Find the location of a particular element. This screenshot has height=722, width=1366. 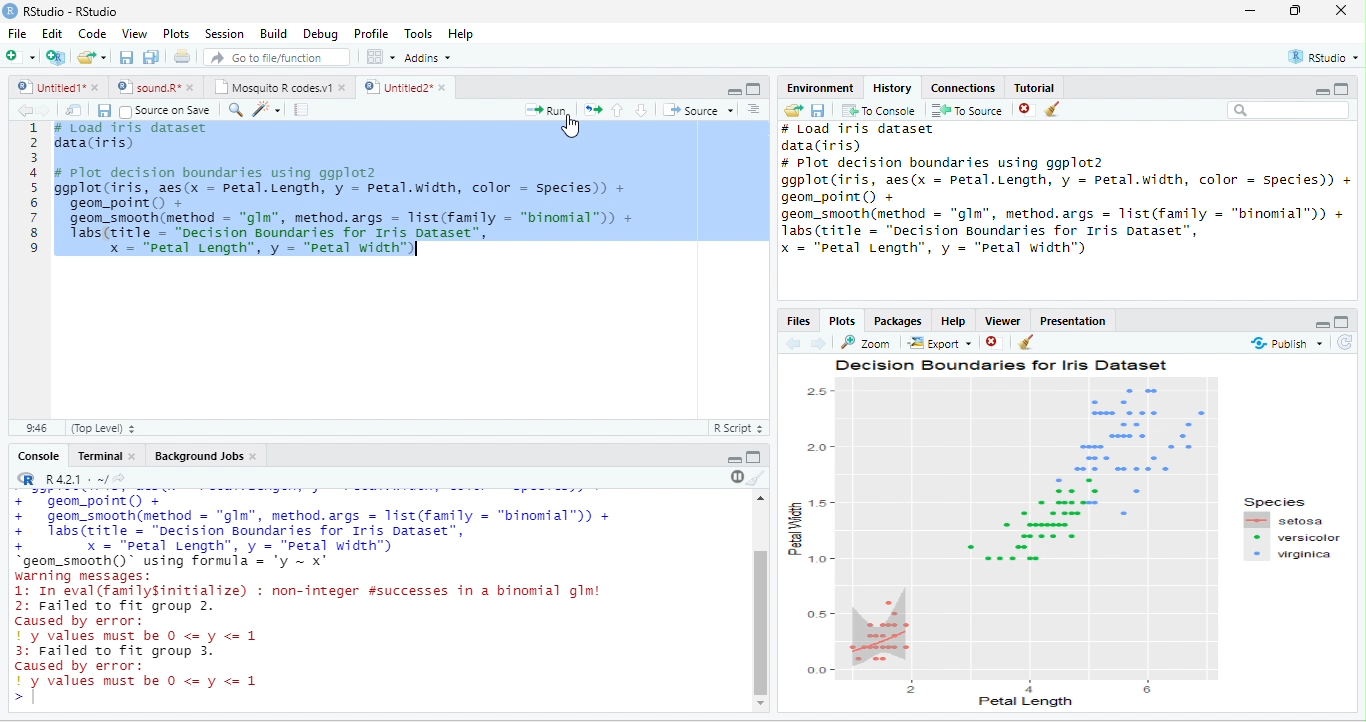

File is located at coordinates (17, 33).